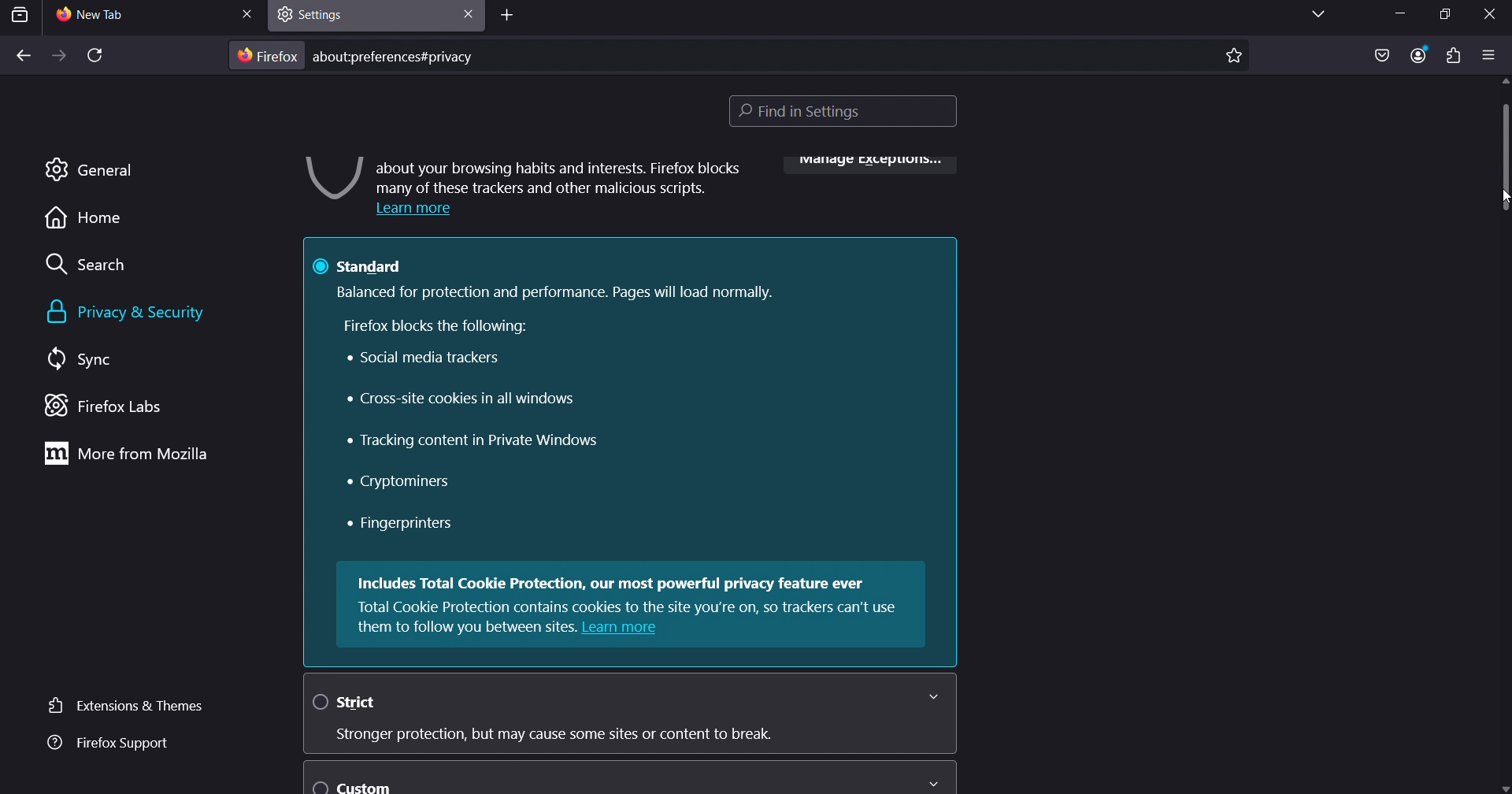 The width and height of the screenshot is (1512, 794). What do you see at coordinates (247, 13) in the screenshot?
I see `close` at bounding box center [247, 13].